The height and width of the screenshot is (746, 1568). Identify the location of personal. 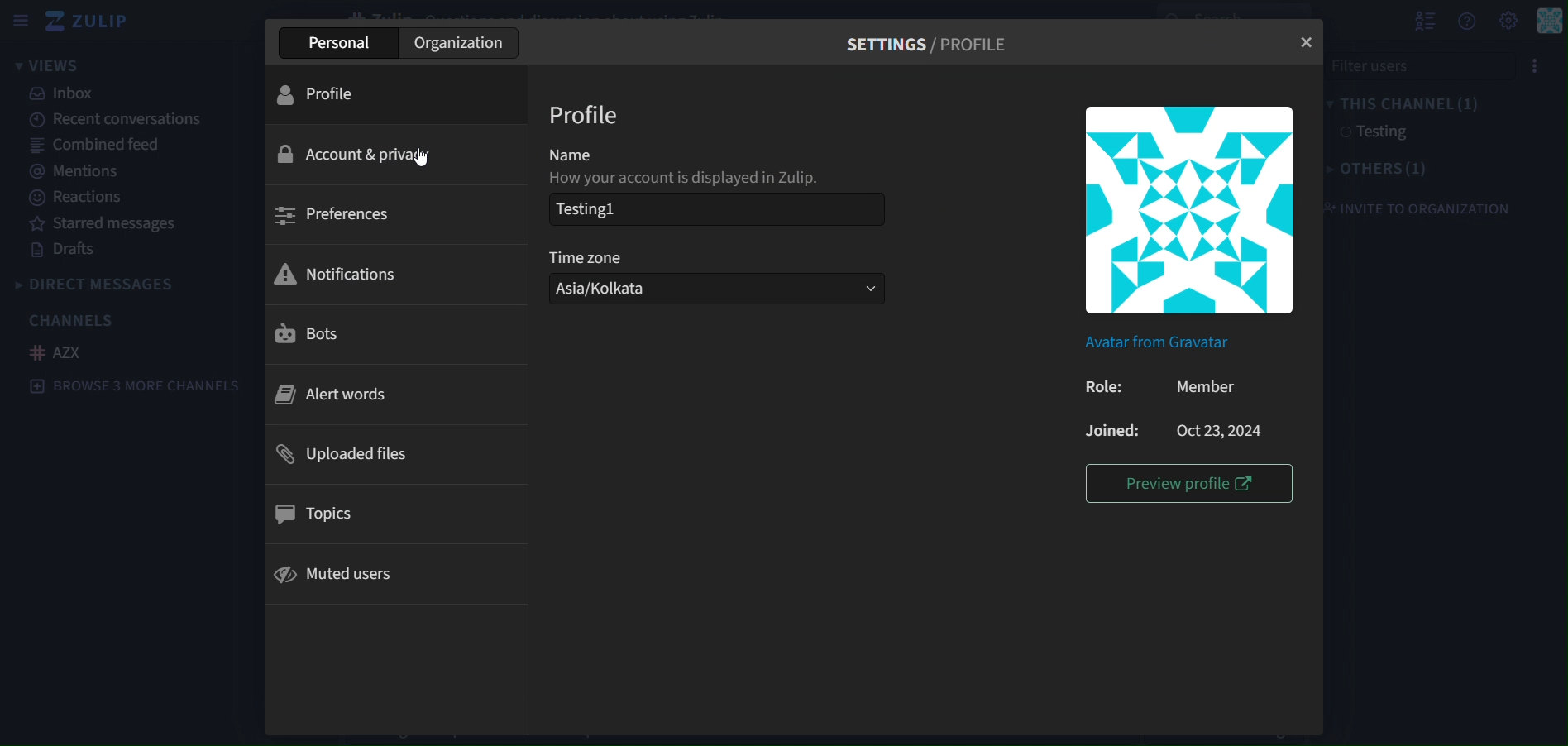
(339, 42).